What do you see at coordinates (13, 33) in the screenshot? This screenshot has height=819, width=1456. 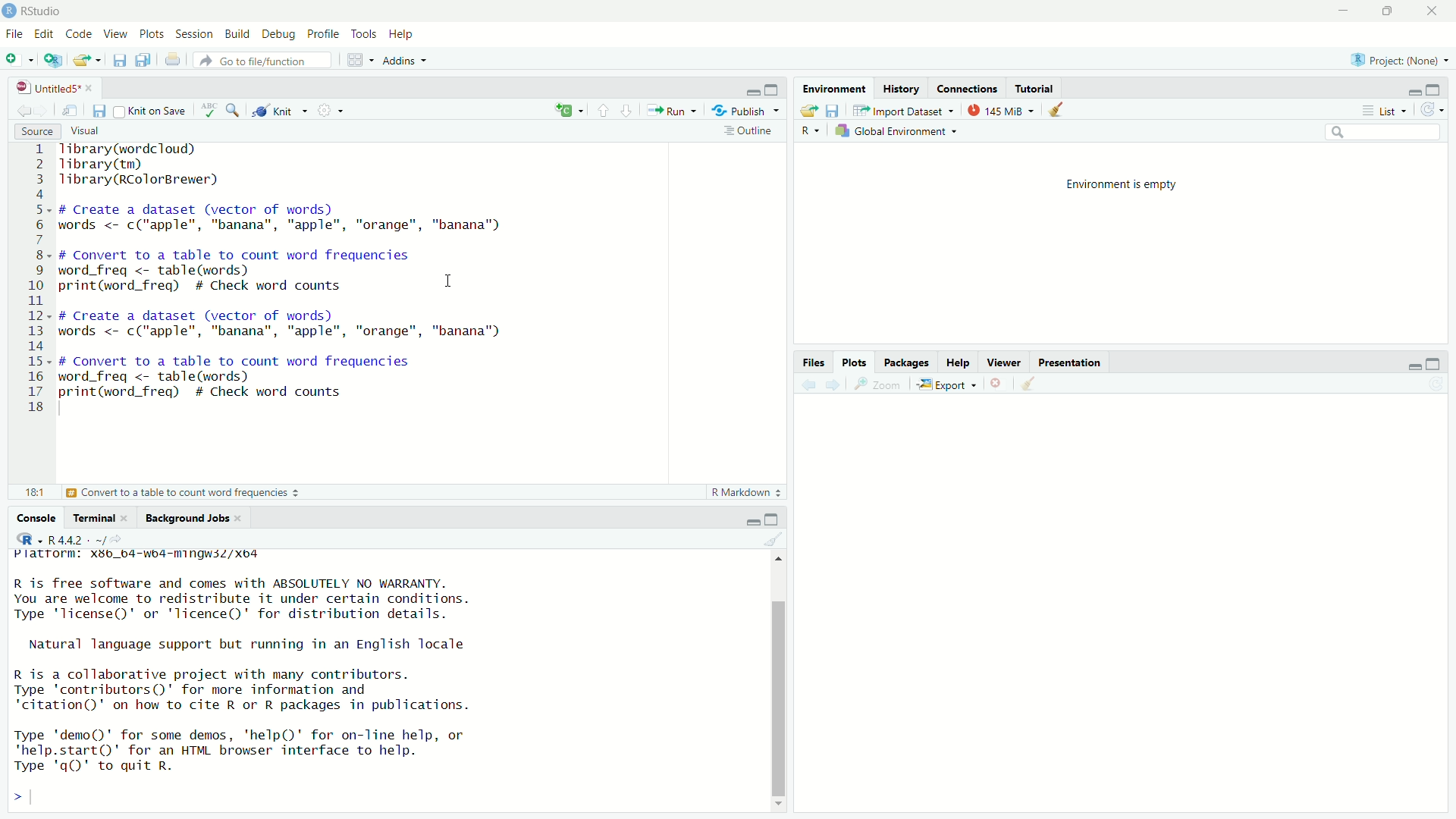 I see `File` at bounding box center [13, 33].